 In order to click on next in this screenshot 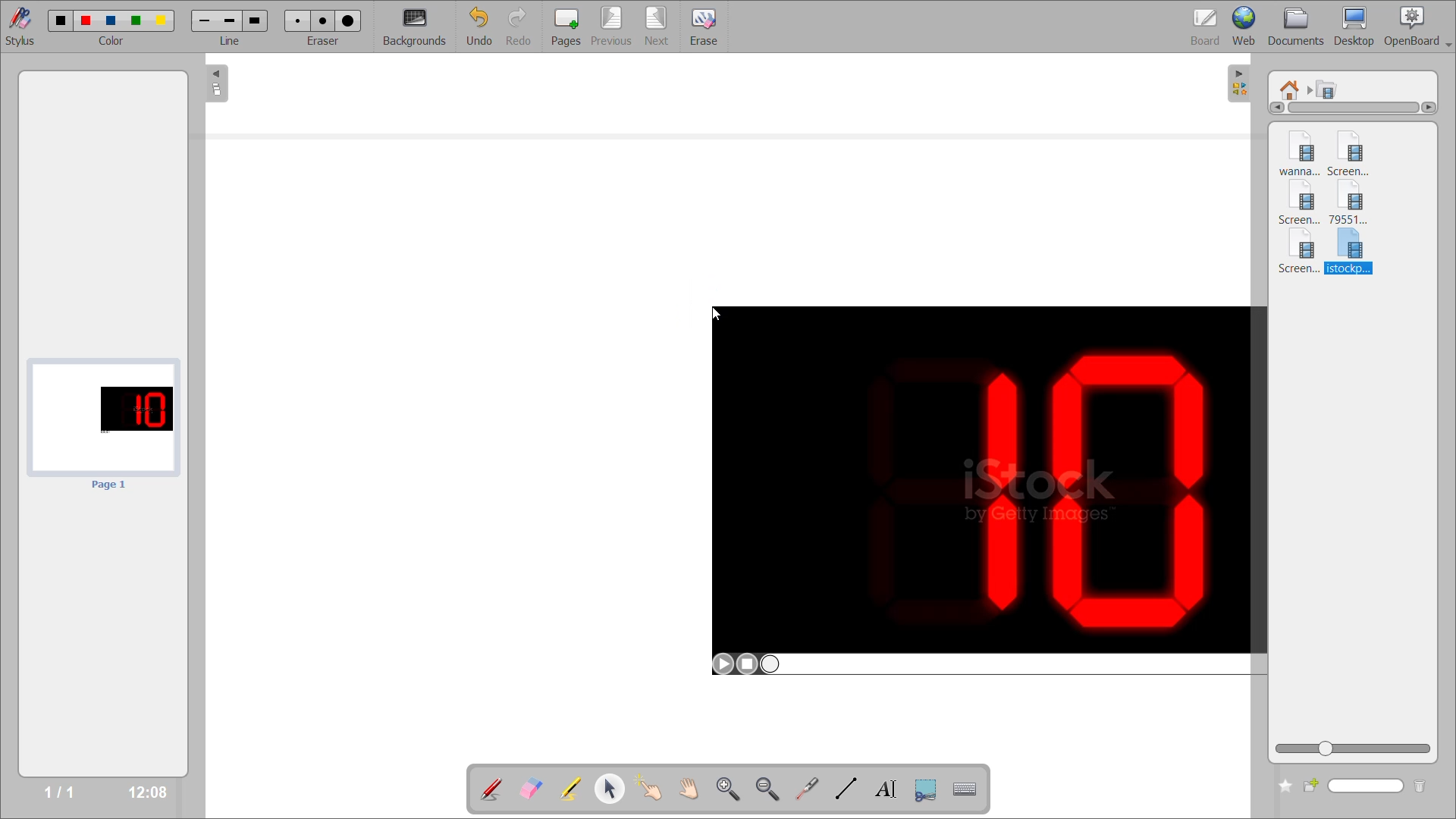, I will do `click(656, 25)`.